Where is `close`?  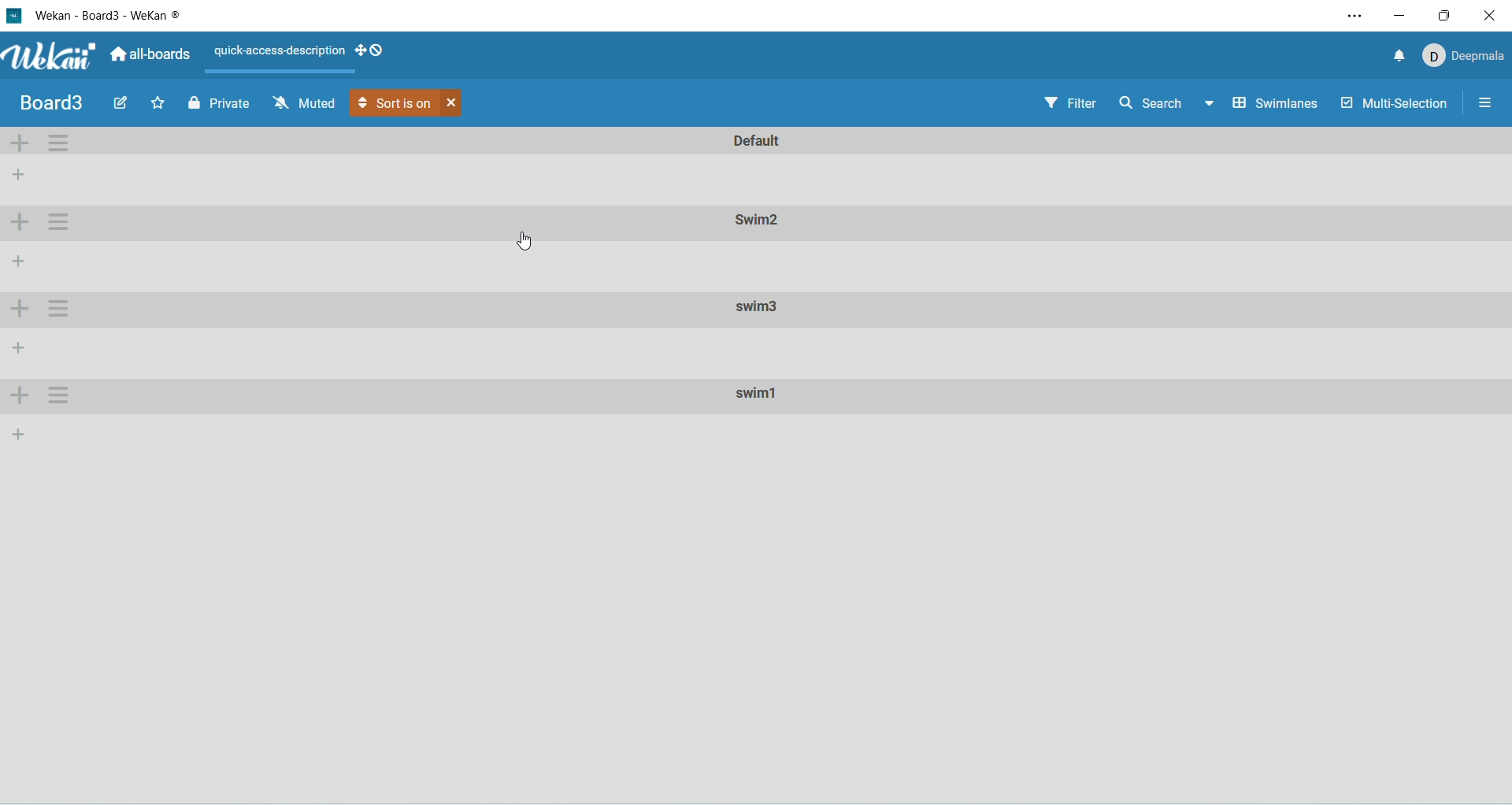 close is located at coordinates (1490, 16).